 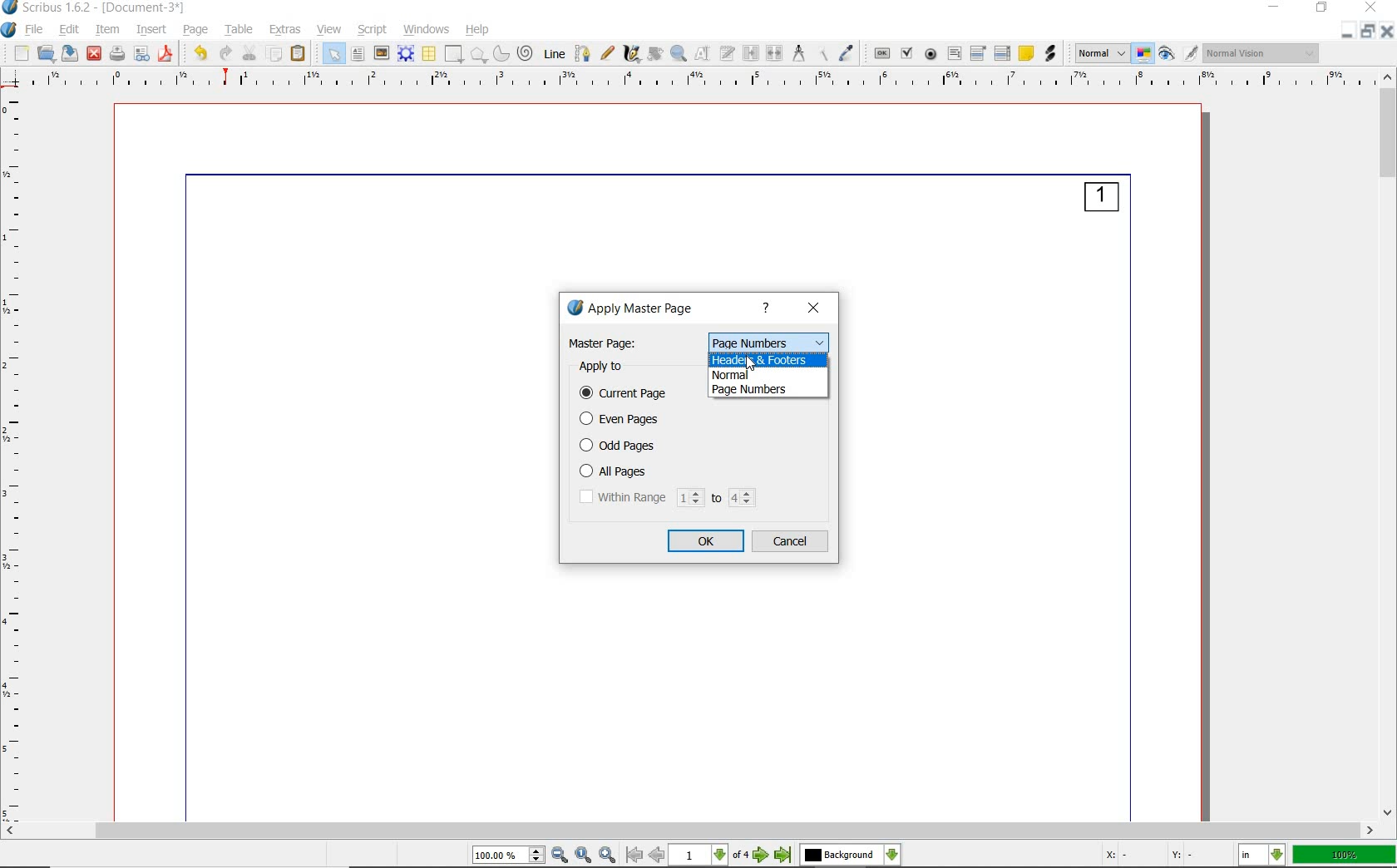 What do you see at coordinates (1004, 53) in the screenshot?
I see `pdf list box` at bounding box center [1004, 53].